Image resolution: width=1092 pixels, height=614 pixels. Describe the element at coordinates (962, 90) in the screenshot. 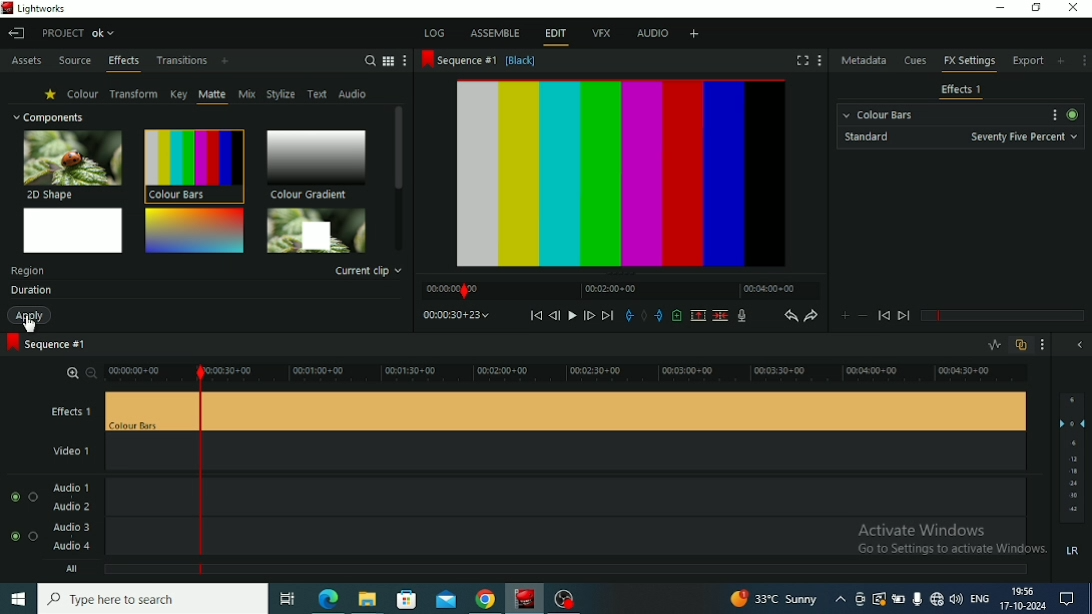

I see `Effects 1` at that location.